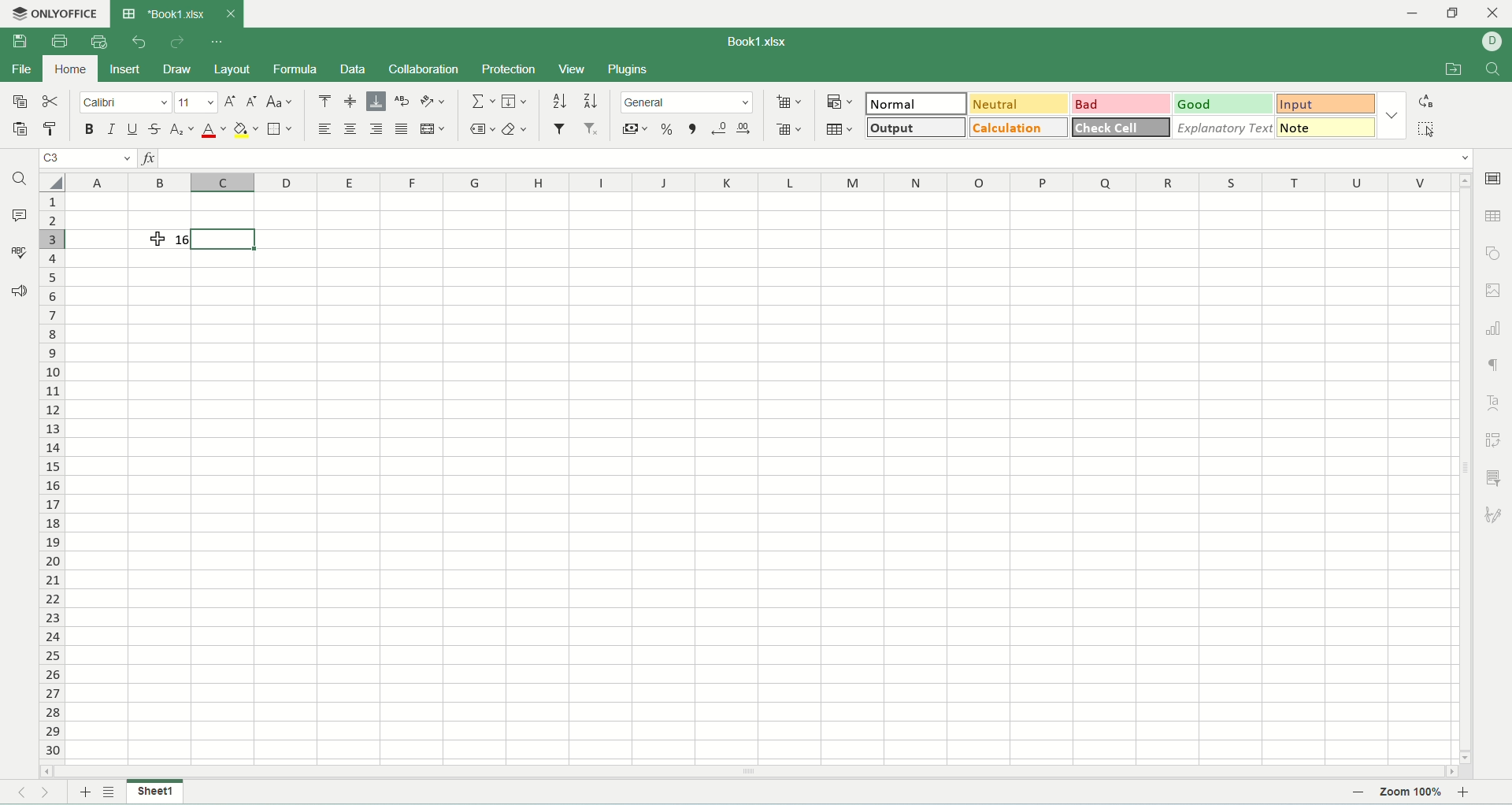 This screenshot has width=1512, height=805. Describe the element at coordinates (376, 128) in the screenshot. I see `align right` at that location.